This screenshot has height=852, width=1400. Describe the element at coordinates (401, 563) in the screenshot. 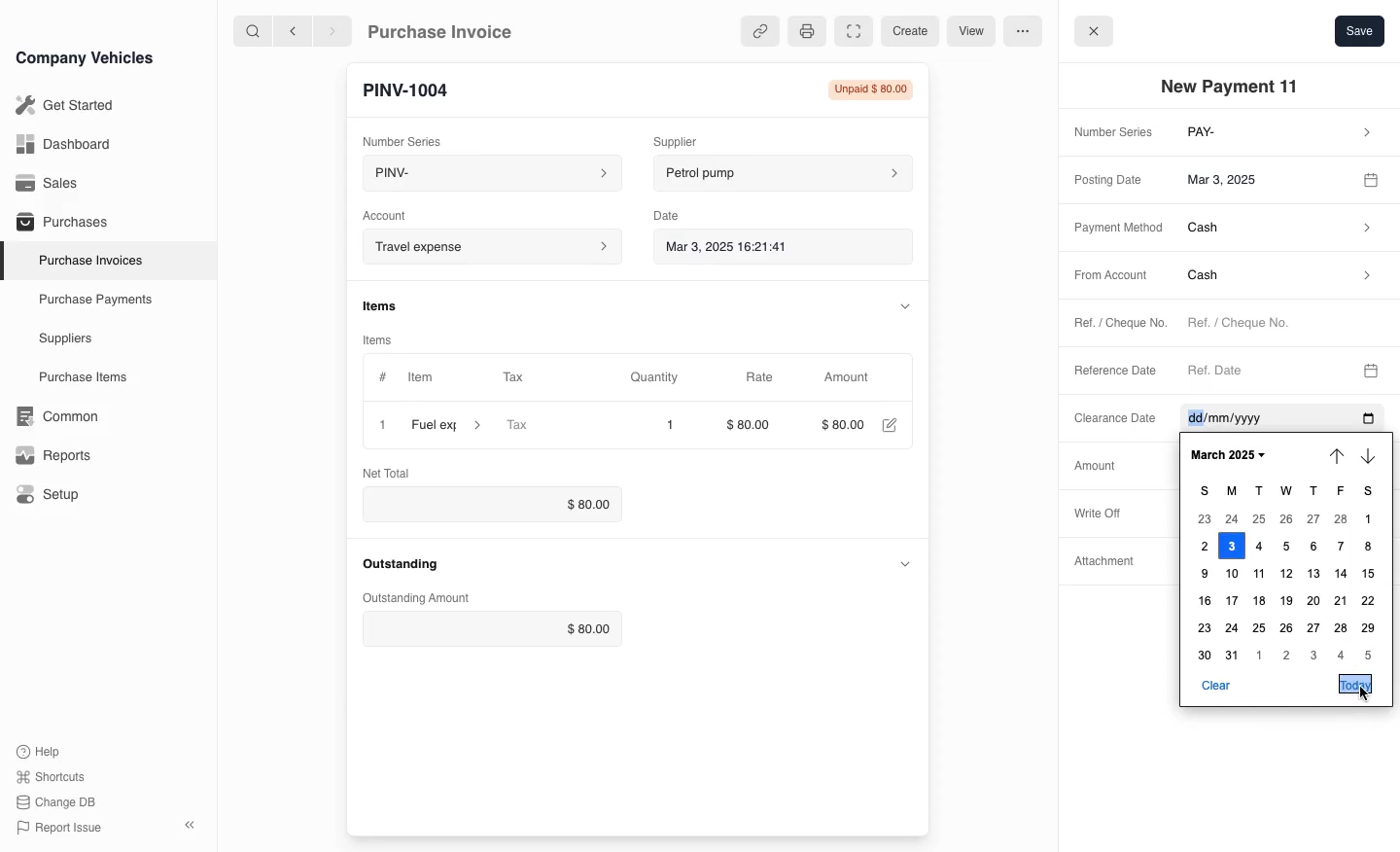

I see `Outstanding` at that location.